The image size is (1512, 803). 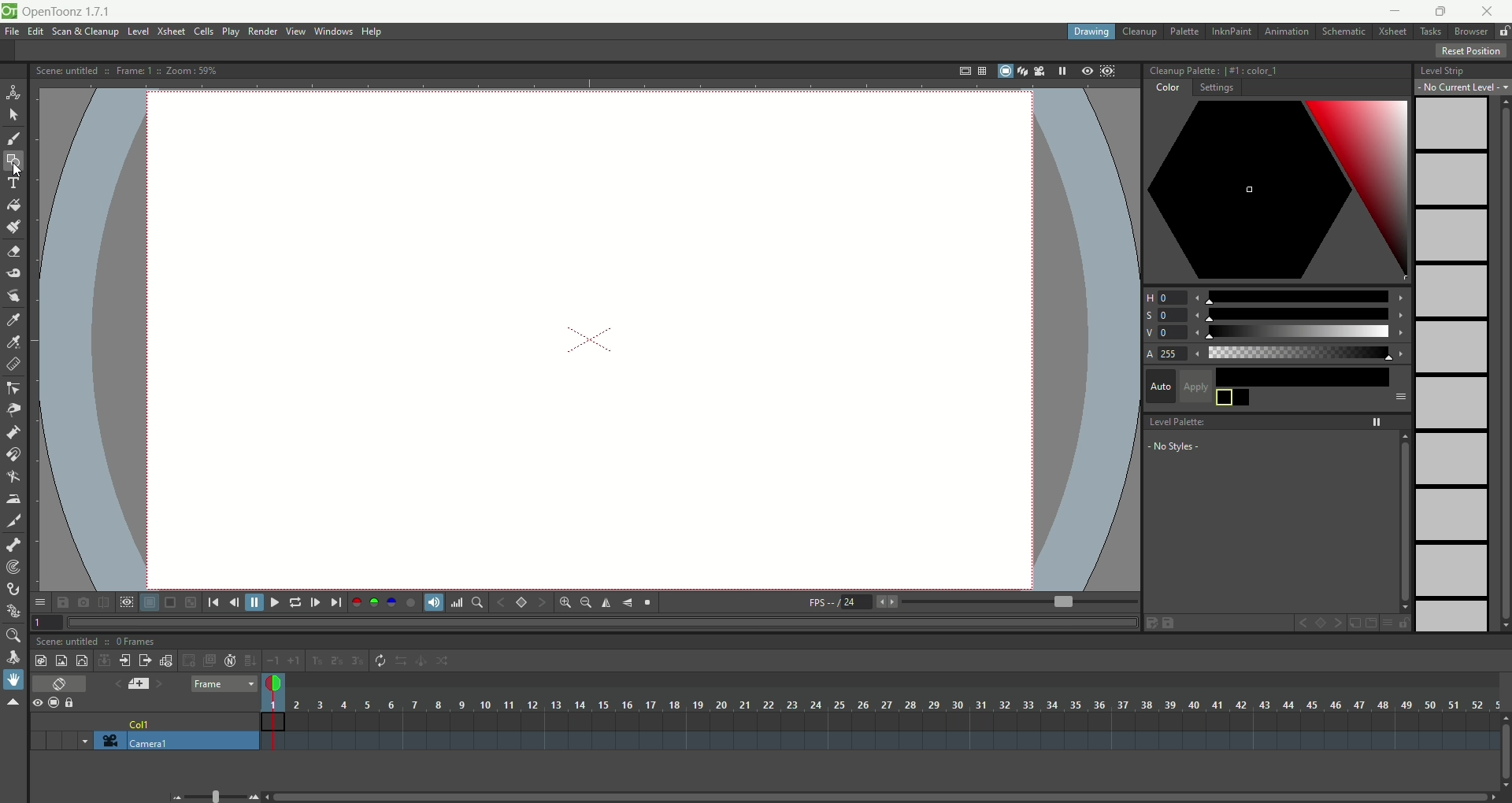 I want to click on hue, so click(x=1277, y=294).